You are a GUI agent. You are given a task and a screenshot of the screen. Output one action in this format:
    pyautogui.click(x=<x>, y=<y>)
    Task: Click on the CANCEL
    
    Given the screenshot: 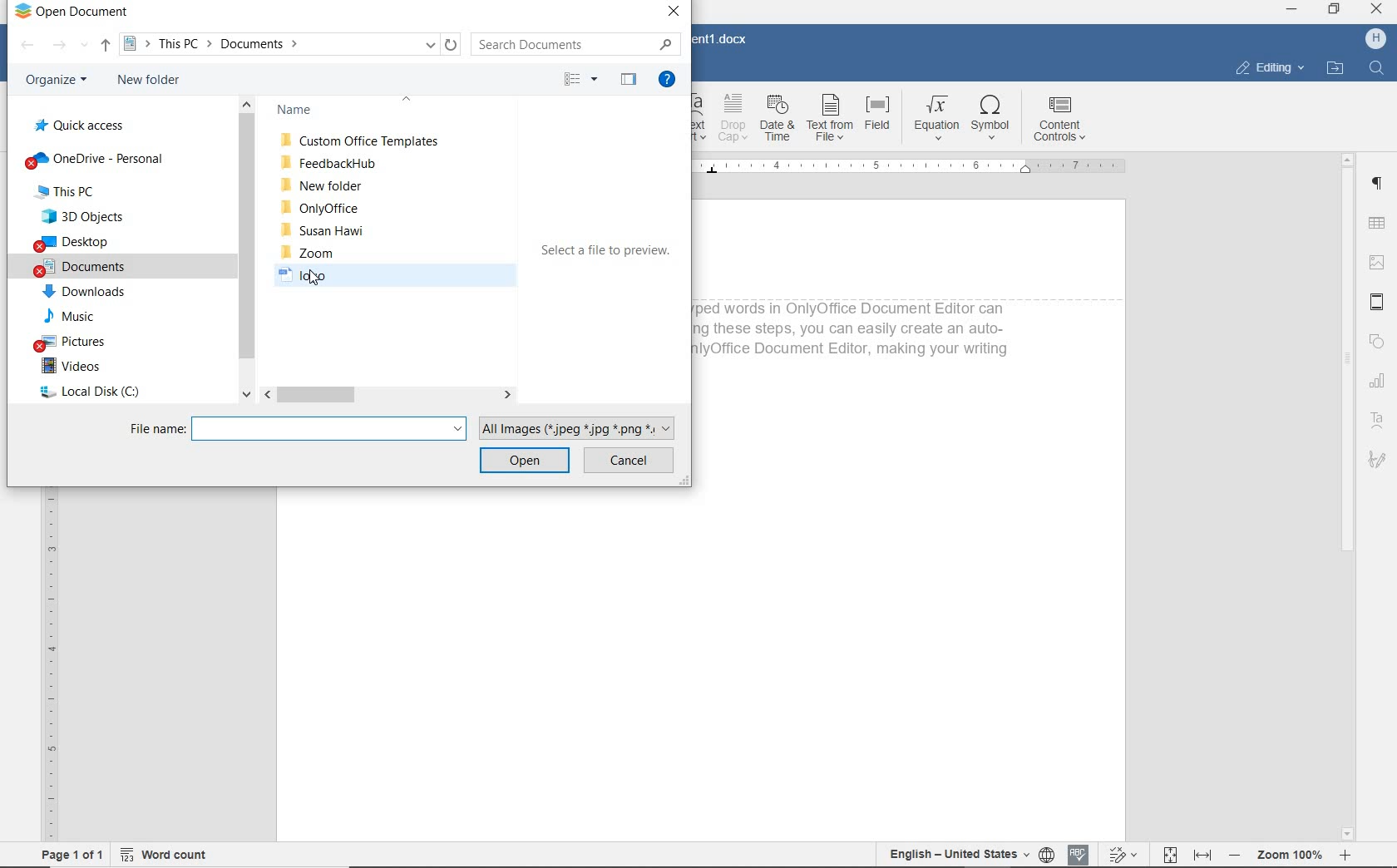 What is the action you would take?
    pyautogui.click(x=629, y=461)
    